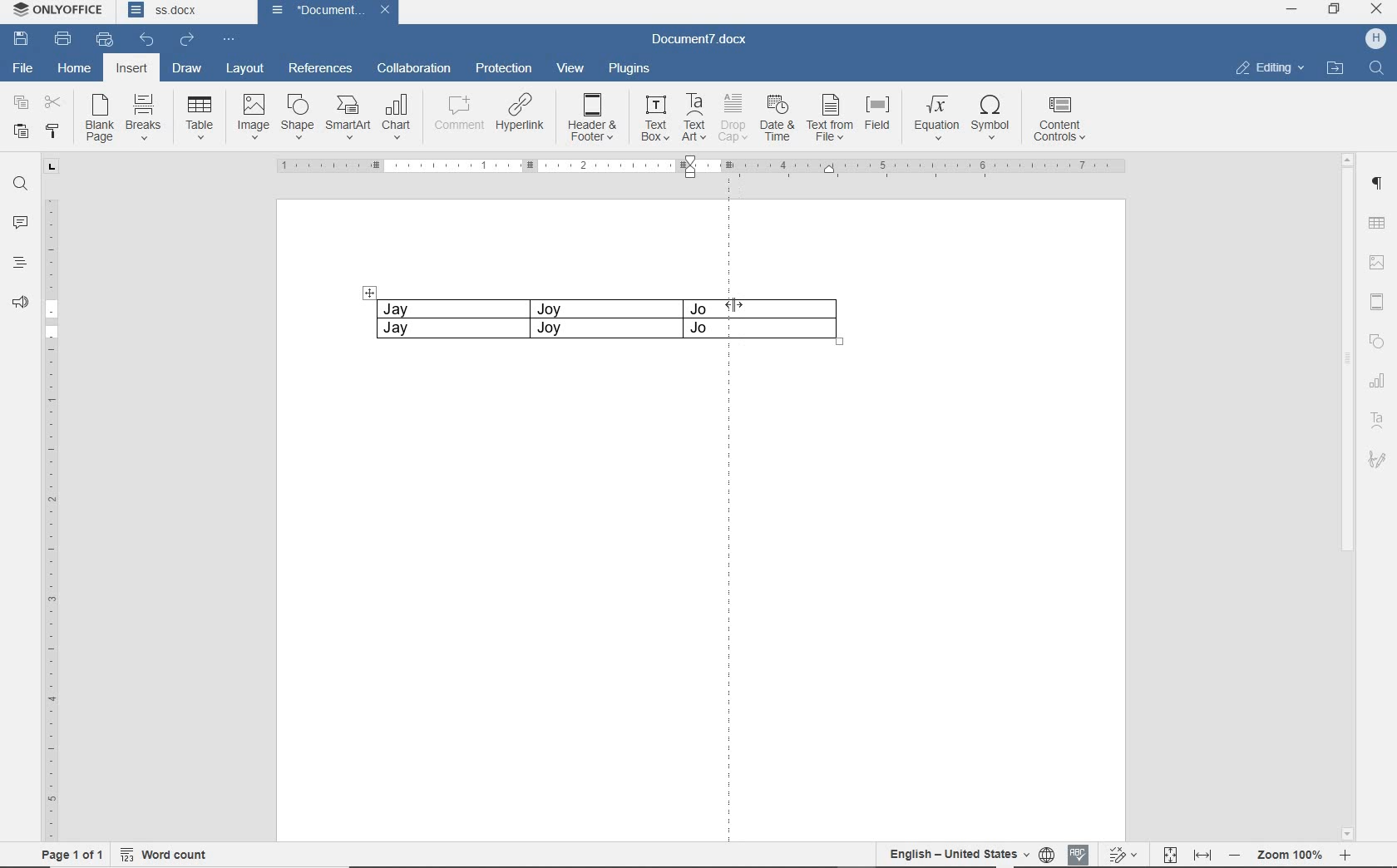  Describe the element at coordinates (1377, 264) in the screenshot. I see `IMAGE` at that location.